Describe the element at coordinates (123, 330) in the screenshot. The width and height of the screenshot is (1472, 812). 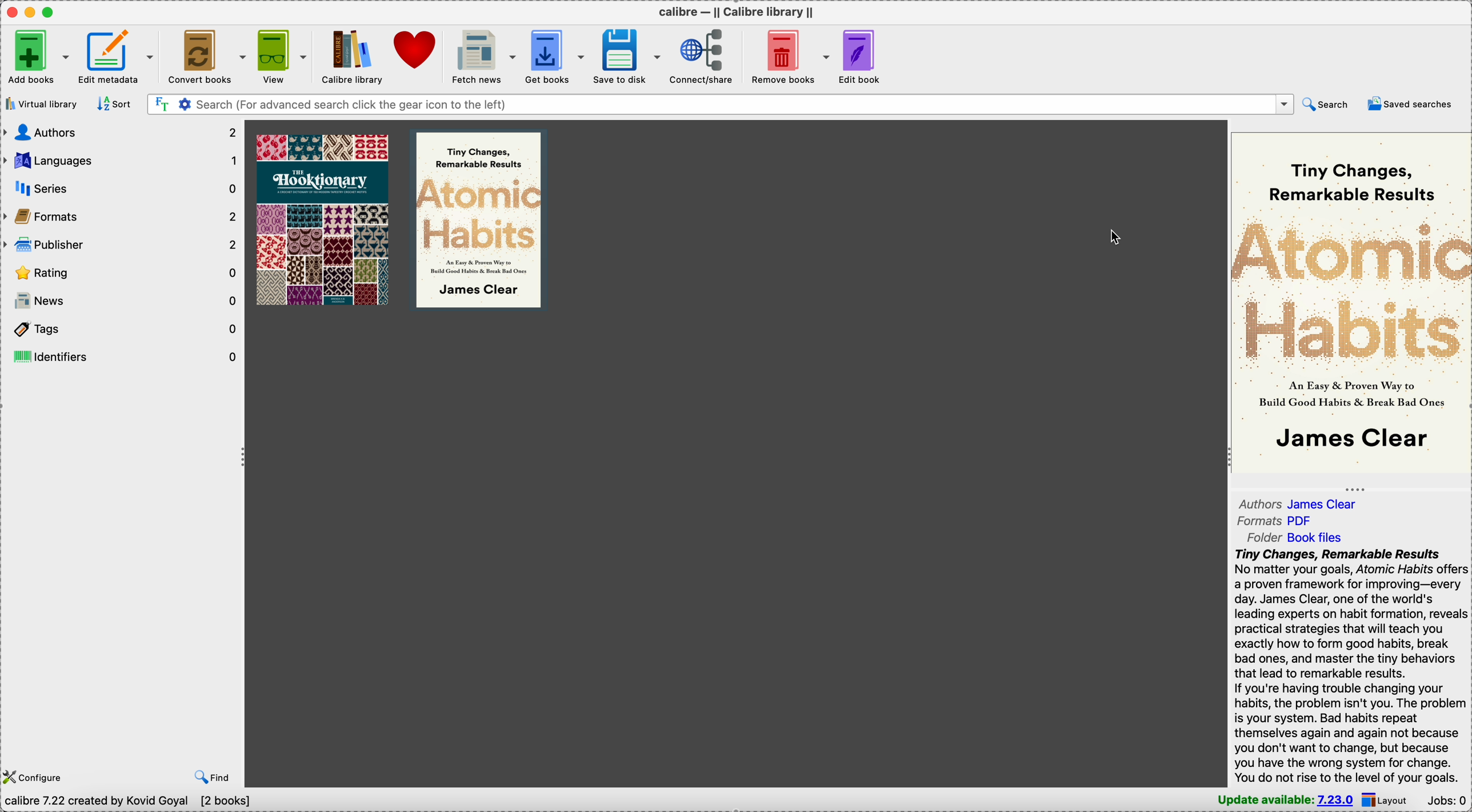
I see `tags` at that location.